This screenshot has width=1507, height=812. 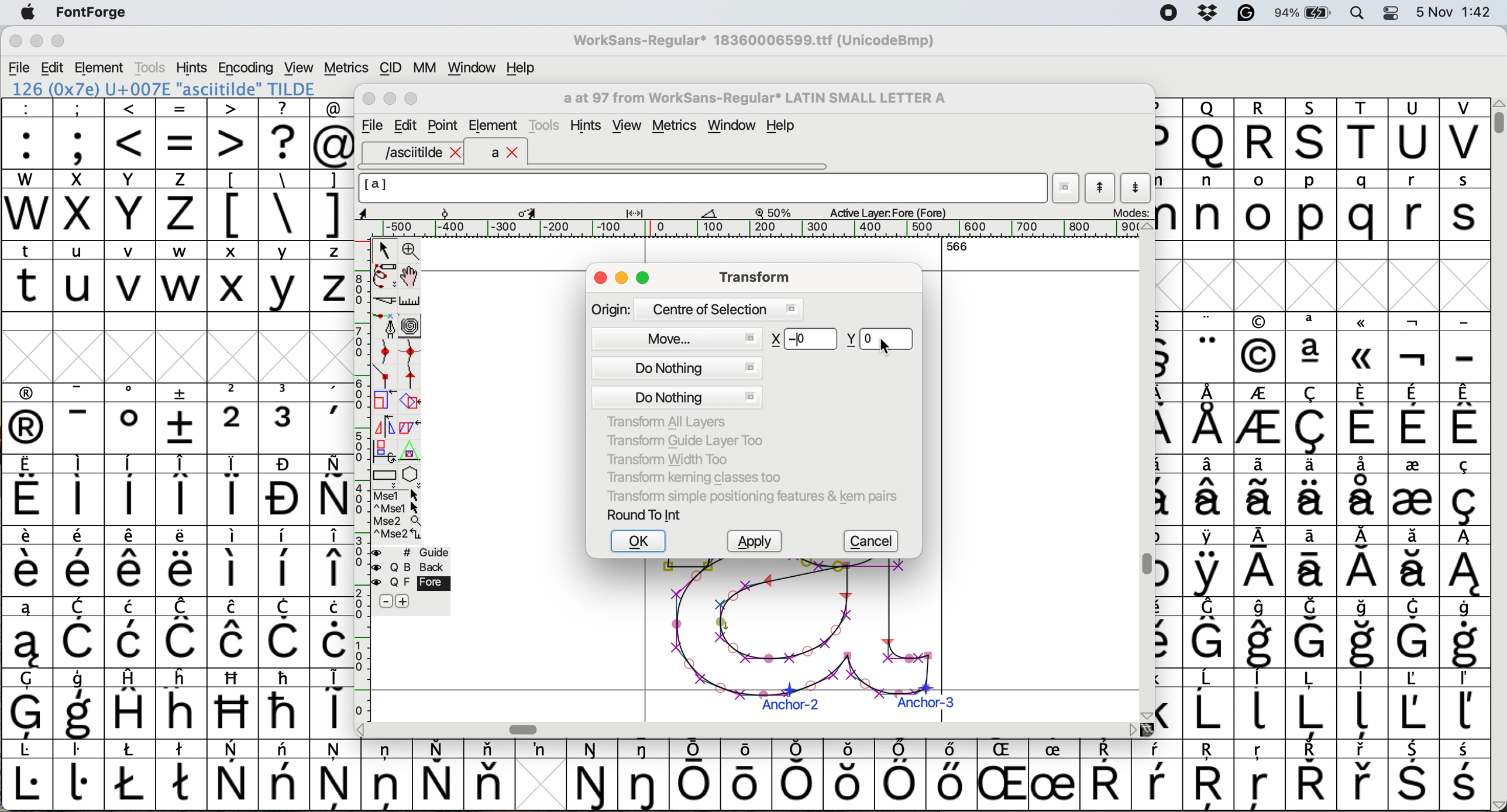 What do you see at coordinates (1313, 133) in the screenshot?
I see `` at bounding box center [1313, 133].